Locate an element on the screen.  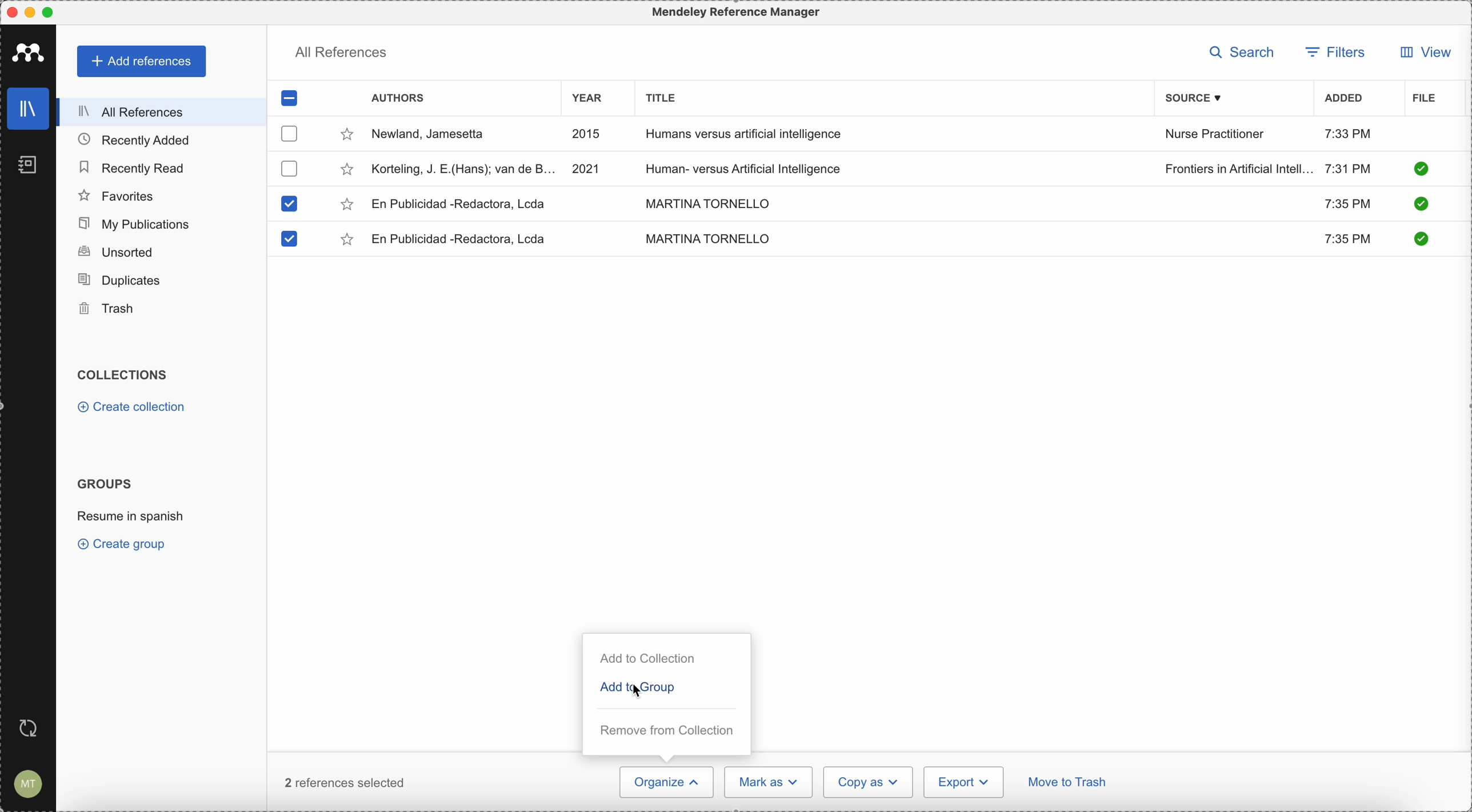
move to trash is located at coordinates (1069, 784).